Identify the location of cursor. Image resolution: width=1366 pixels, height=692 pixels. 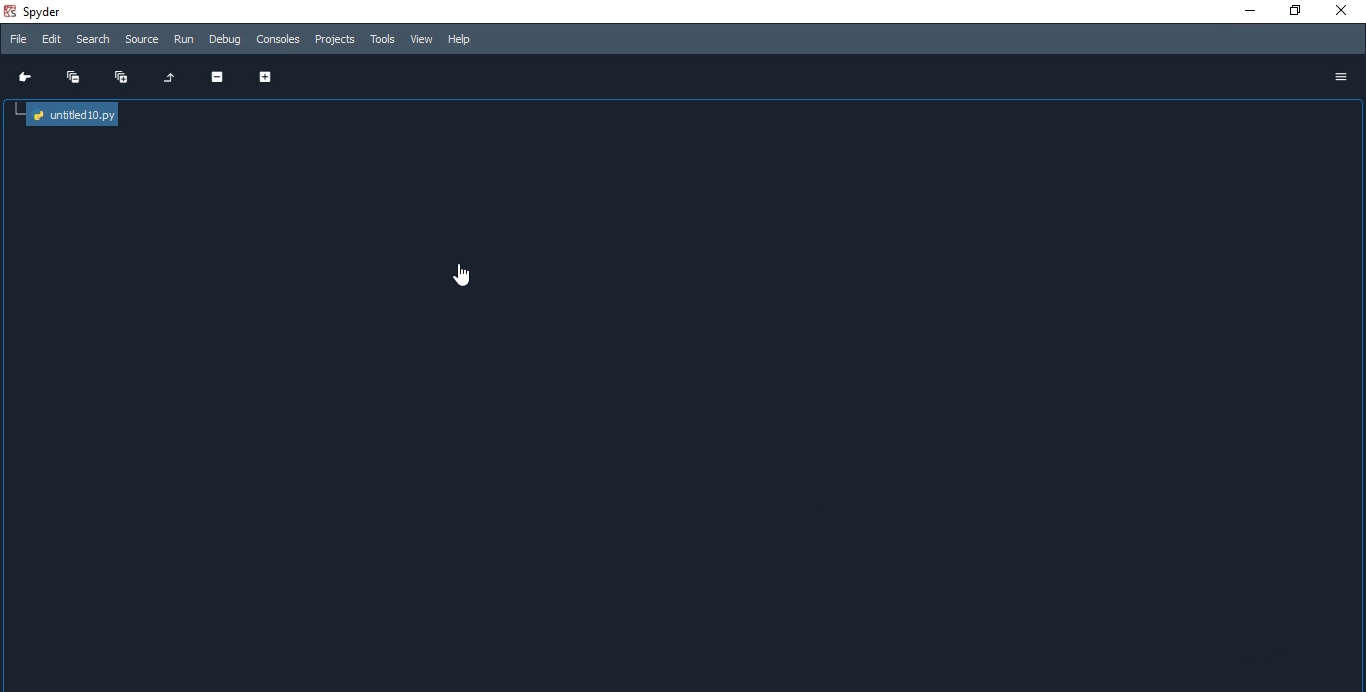
(461, 280).